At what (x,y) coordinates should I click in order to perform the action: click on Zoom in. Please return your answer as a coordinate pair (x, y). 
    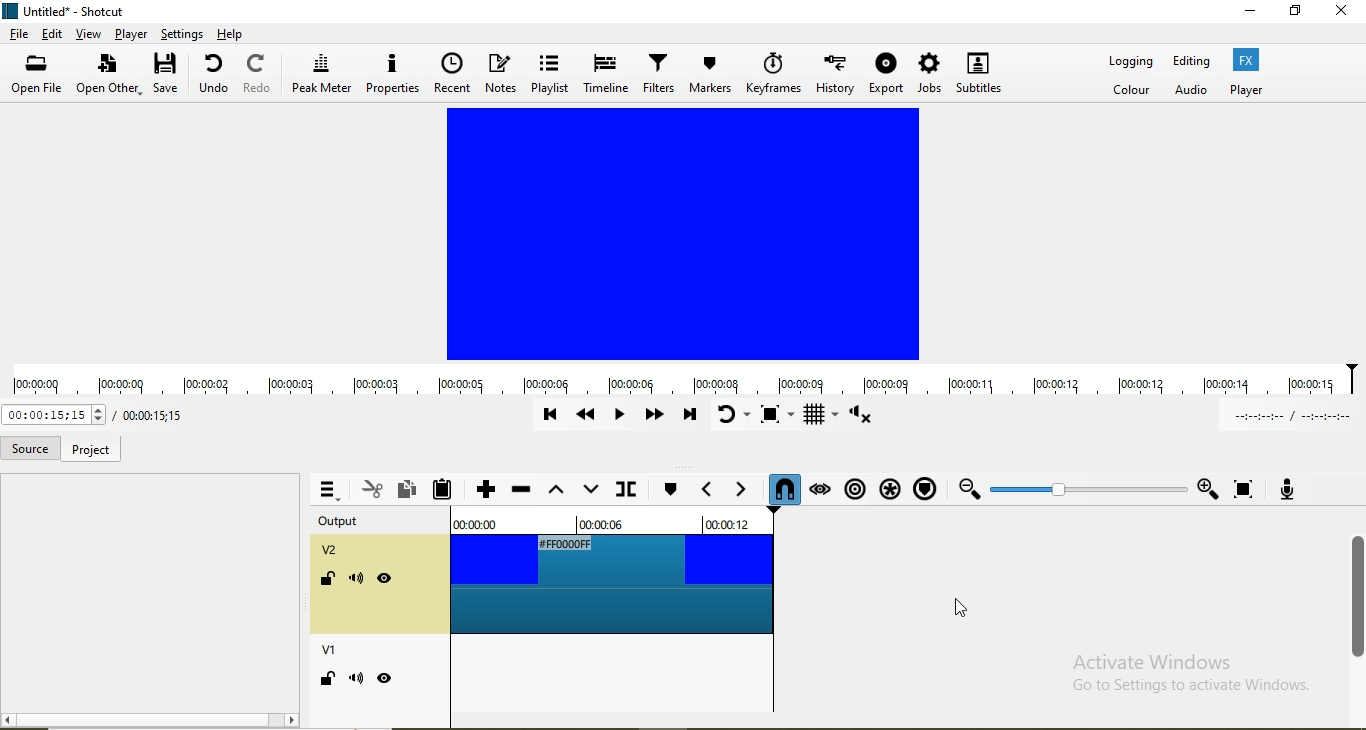
    Looking at the image, I should click on (1207, 489).